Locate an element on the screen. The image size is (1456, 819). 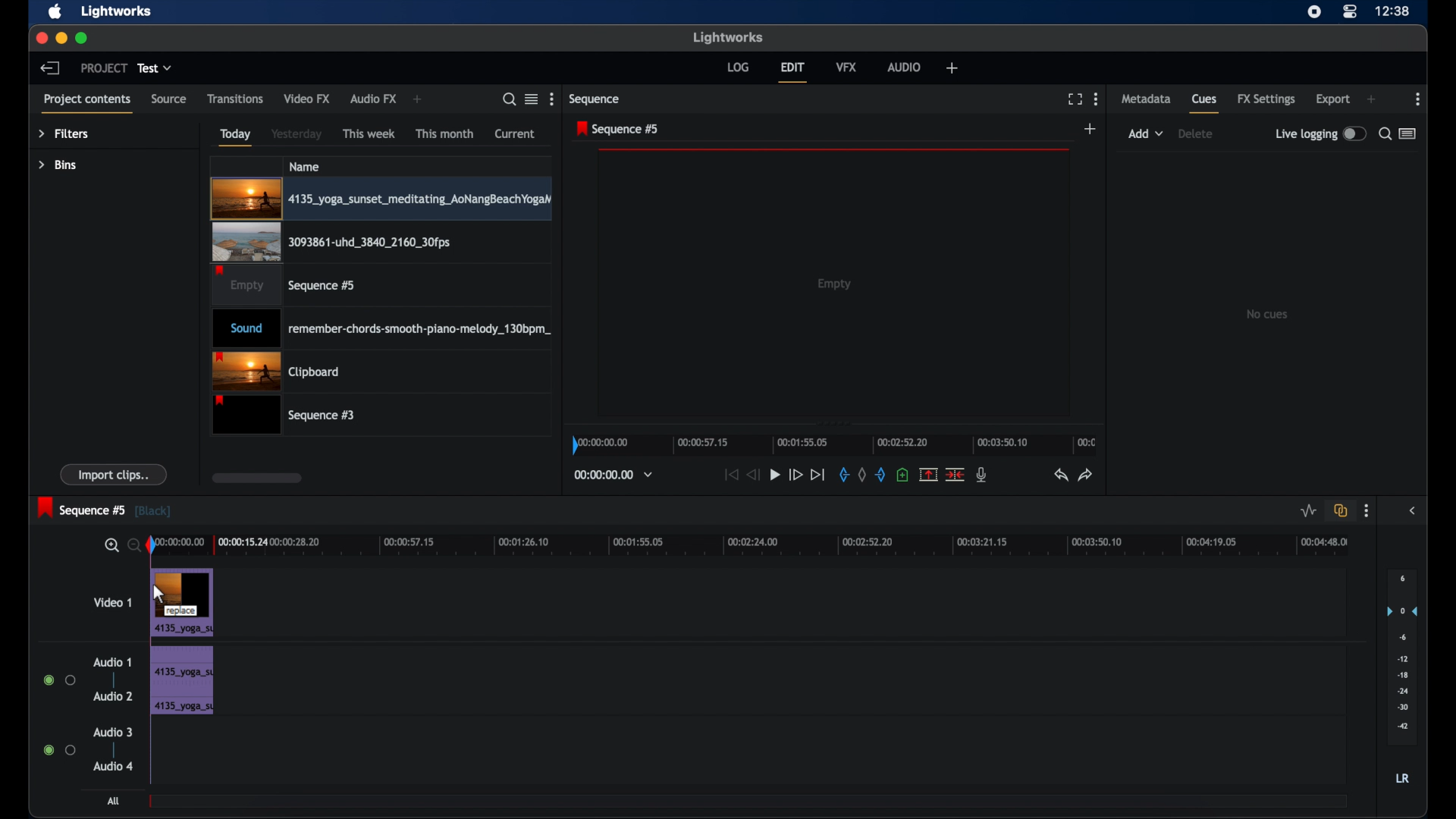
side bar is located at coordinates (1414, 510).